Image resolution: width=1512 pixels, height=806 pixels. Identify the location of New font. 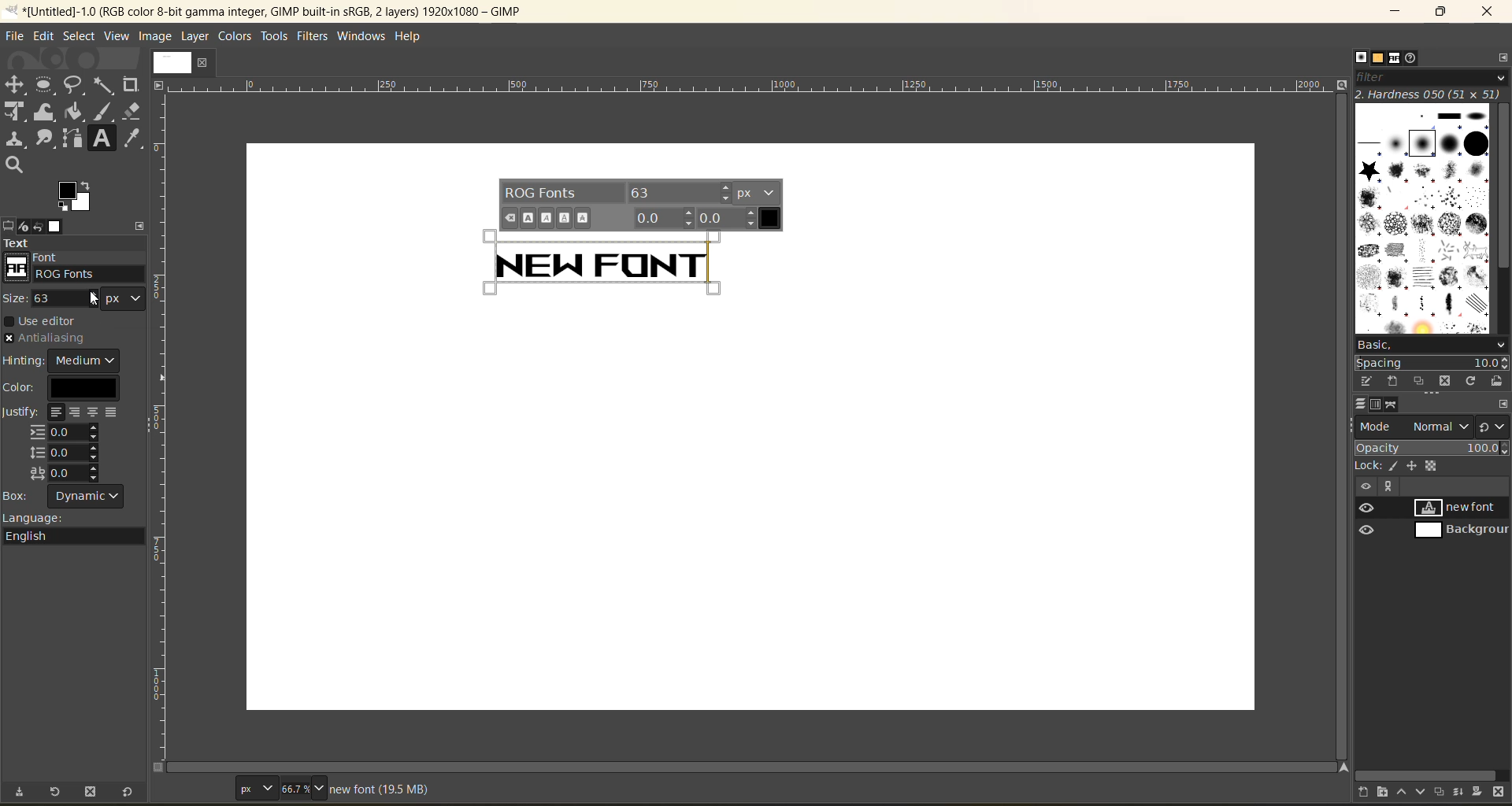
(609, 261).